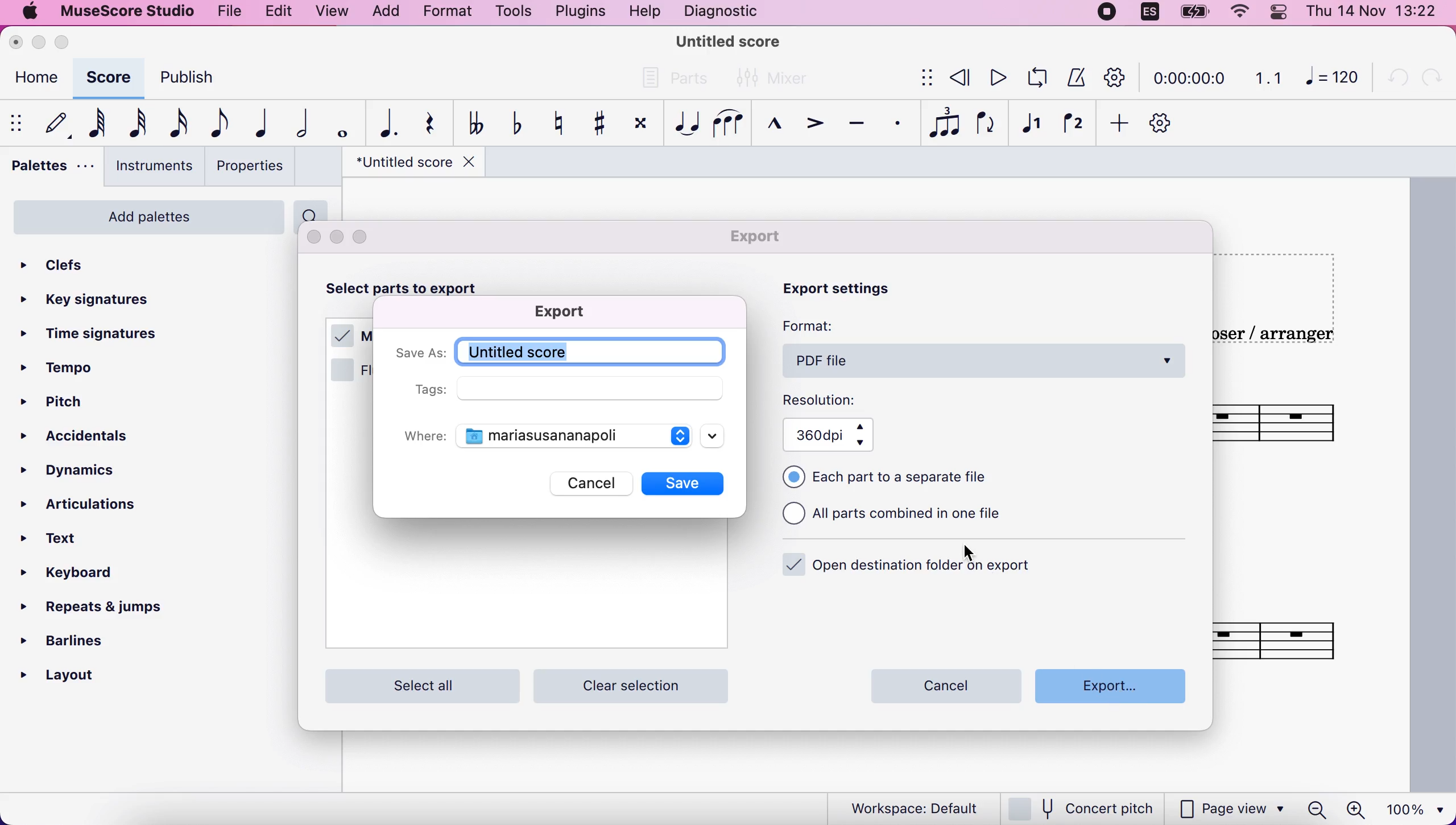  I want to click on palettes, so click(49, 169).